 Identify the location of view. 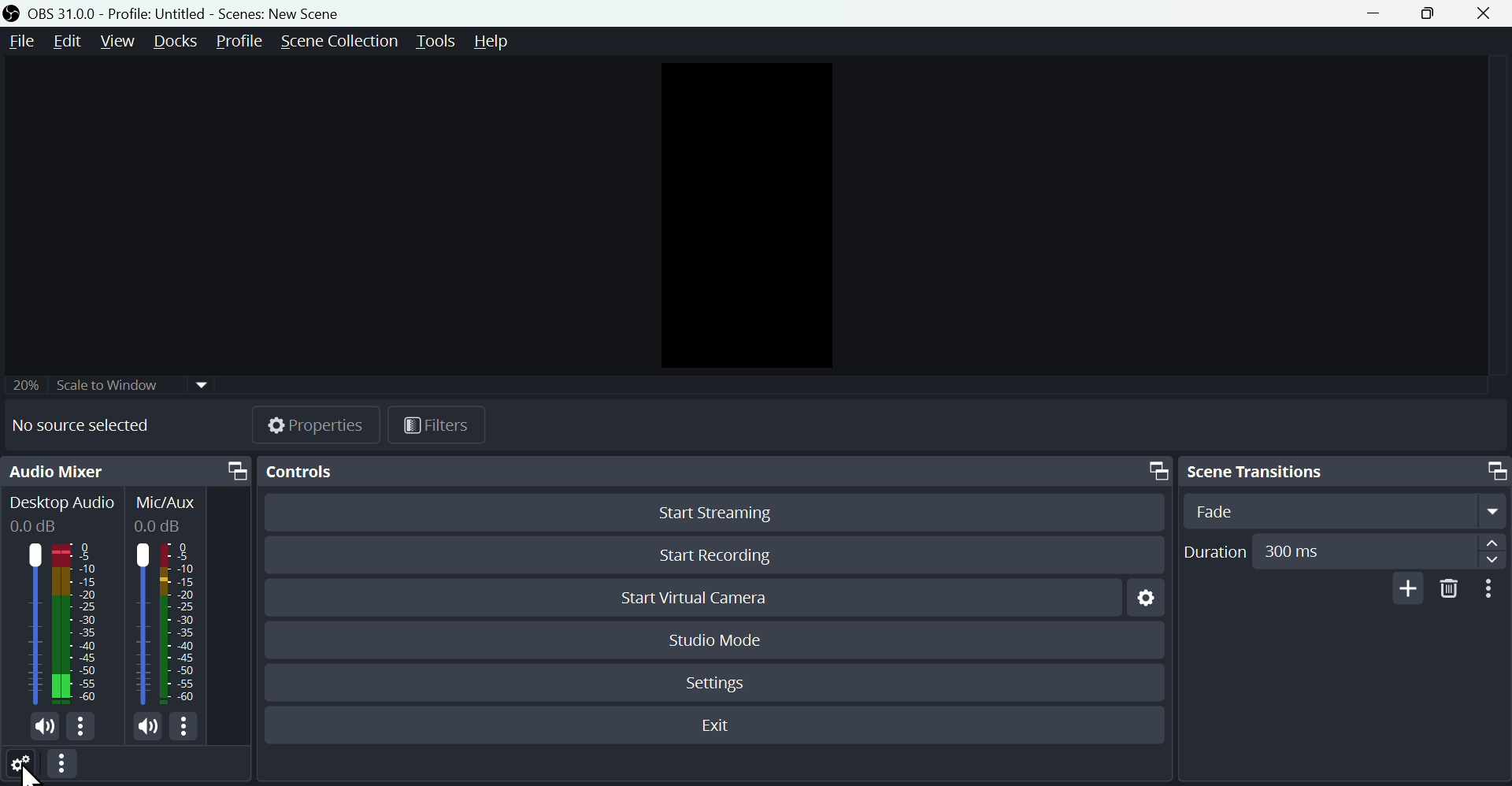
(117, 40).